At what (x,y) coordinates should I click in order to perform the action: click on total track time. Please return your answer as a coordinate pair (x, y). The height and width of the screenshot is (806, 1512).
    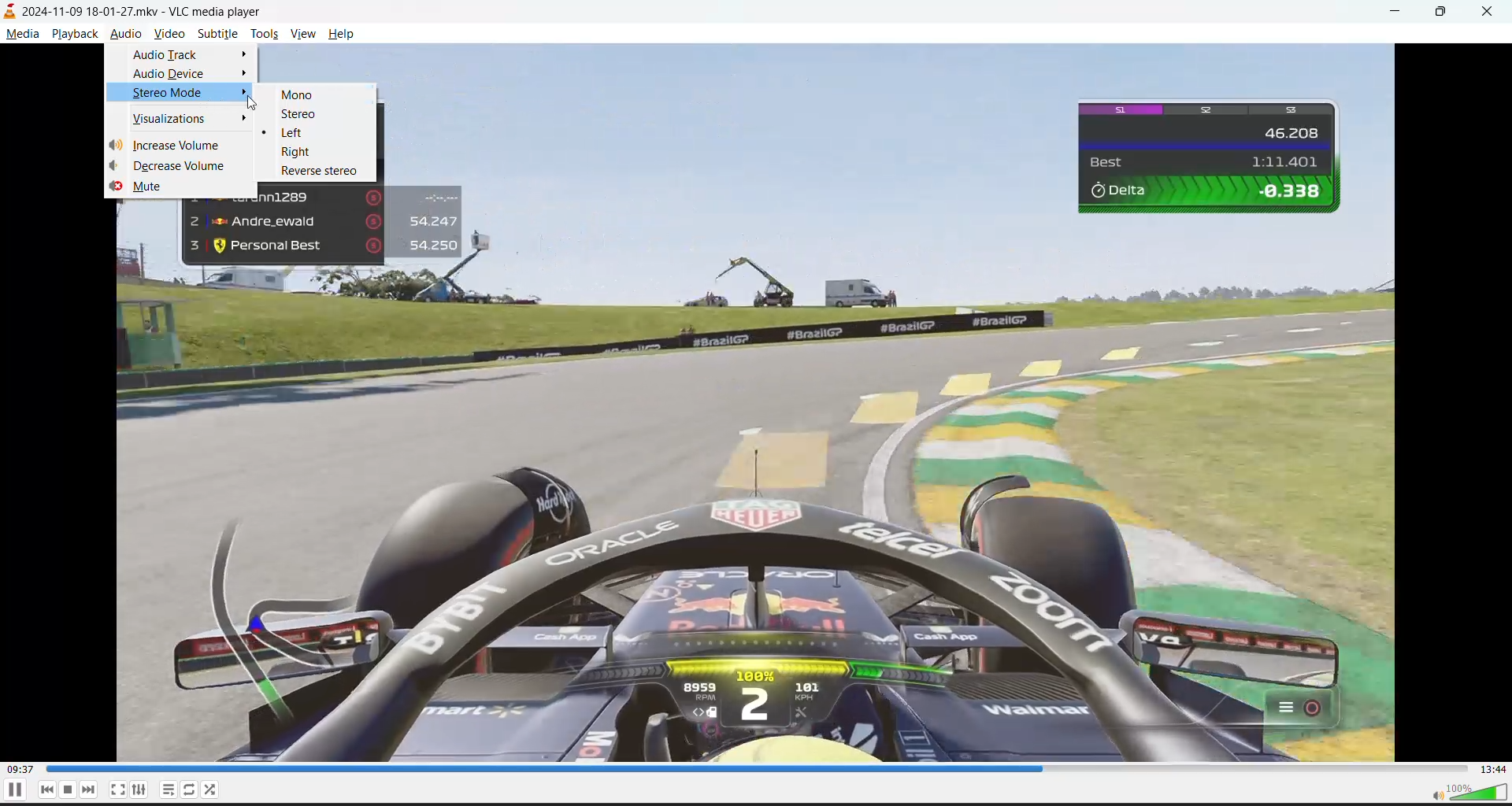
    Looking at the image, I should click on (1495, 769).